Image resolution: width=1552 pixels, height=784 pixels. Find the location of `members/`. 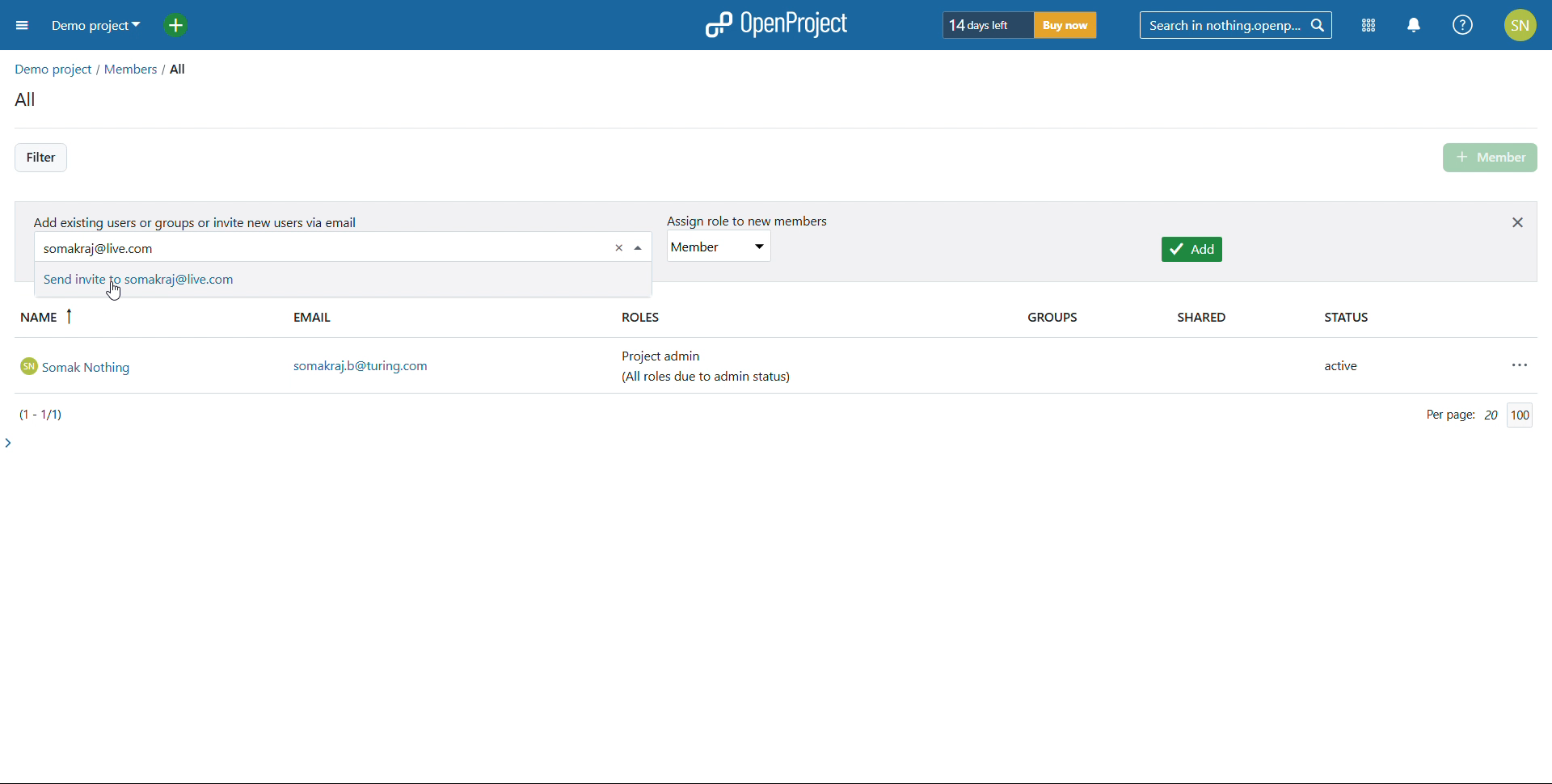

members/ is located at coordinates (136, 71).